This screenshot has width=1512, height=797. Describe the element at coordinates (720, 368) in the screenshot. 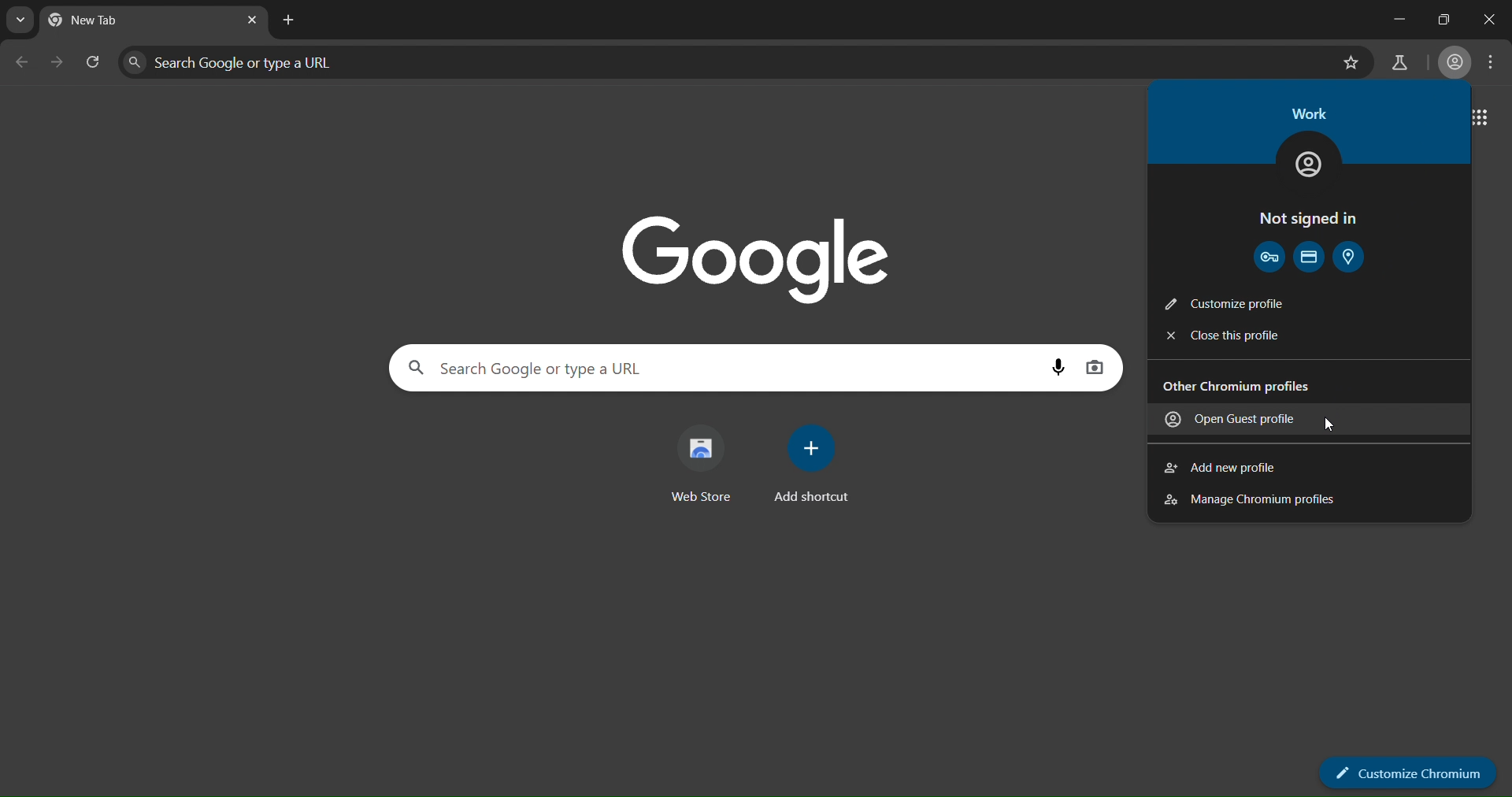

I see `search google or type a URL` at that location.